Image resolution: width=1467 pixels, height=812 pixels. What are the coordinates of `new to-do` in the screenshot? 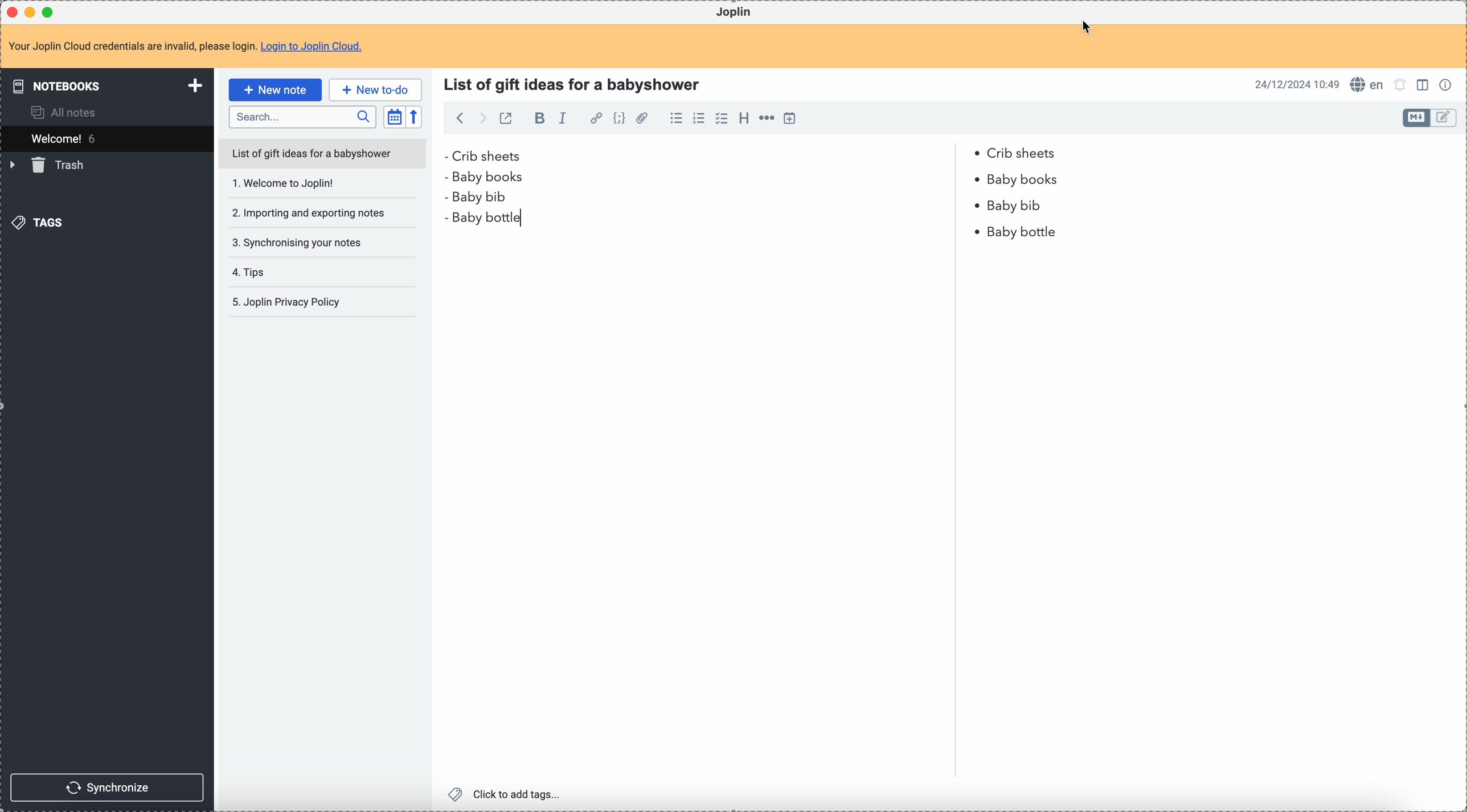 It's located at (375, 89).